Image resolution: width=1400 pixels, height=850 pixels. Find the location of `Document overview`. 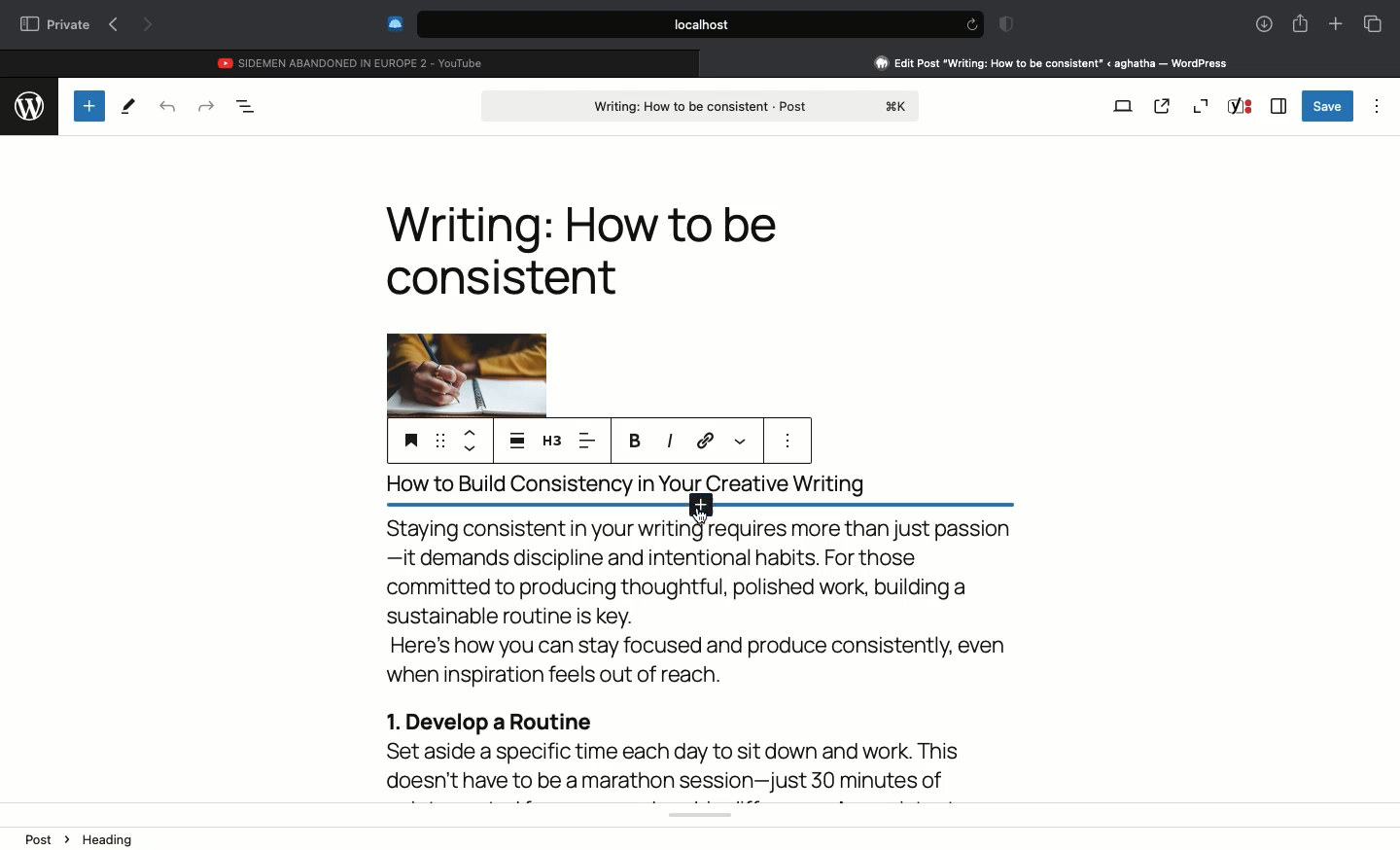

Document overview is located at coordinates (247, 106).